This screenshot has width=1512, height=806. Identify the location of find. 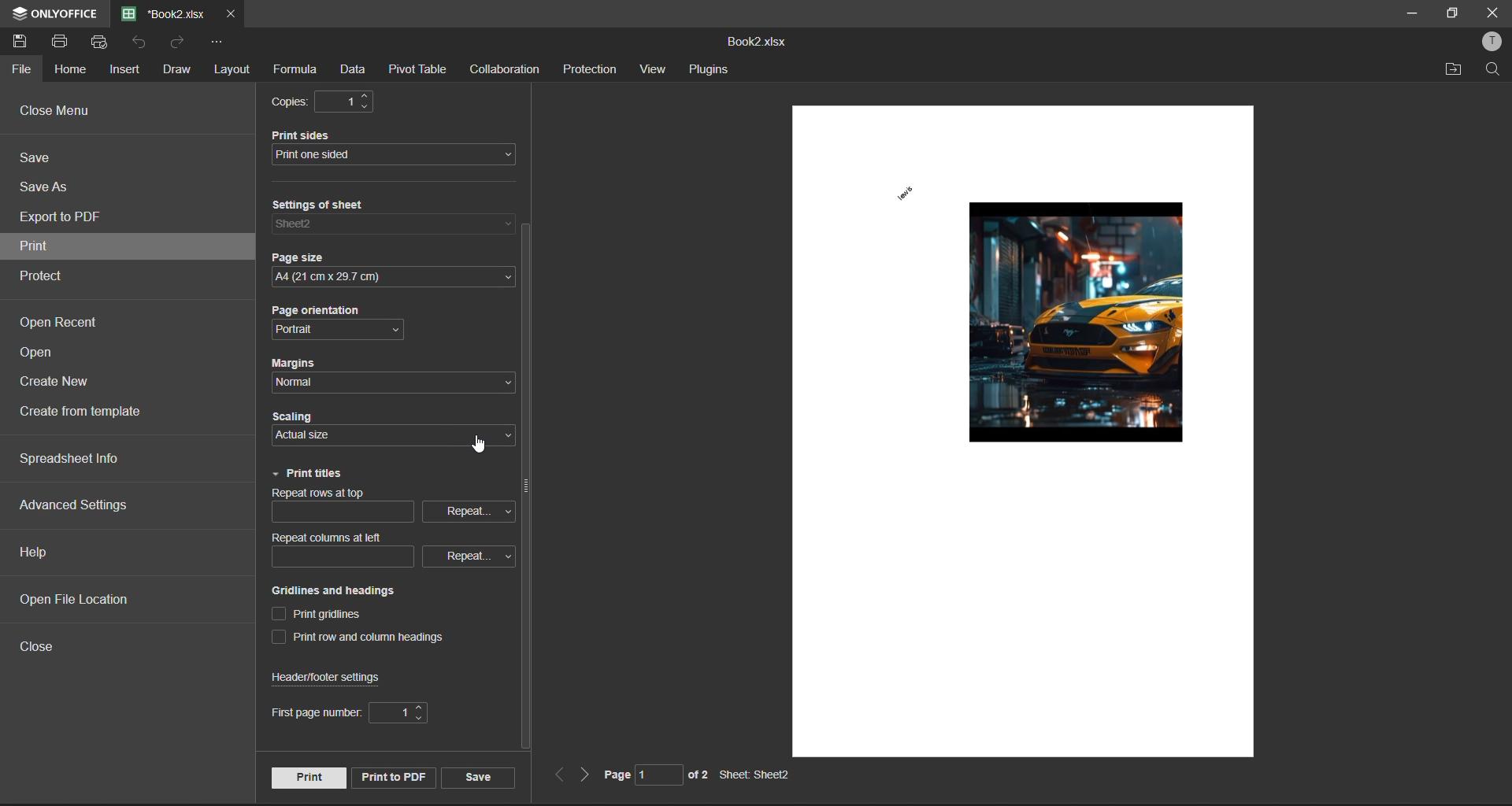
(1494, 68).